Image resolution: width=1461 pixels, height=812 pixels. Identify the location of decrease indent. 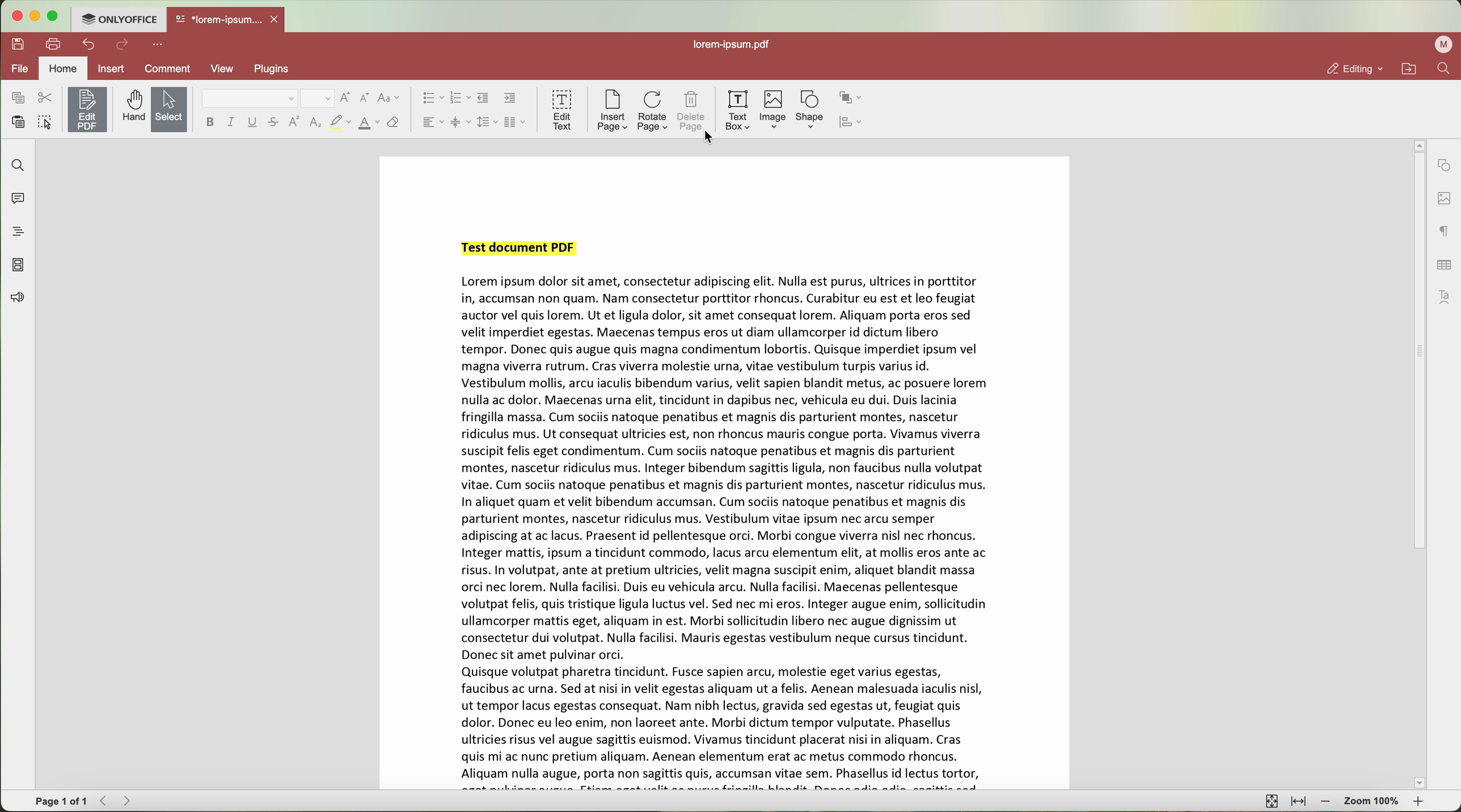
(484, 99).